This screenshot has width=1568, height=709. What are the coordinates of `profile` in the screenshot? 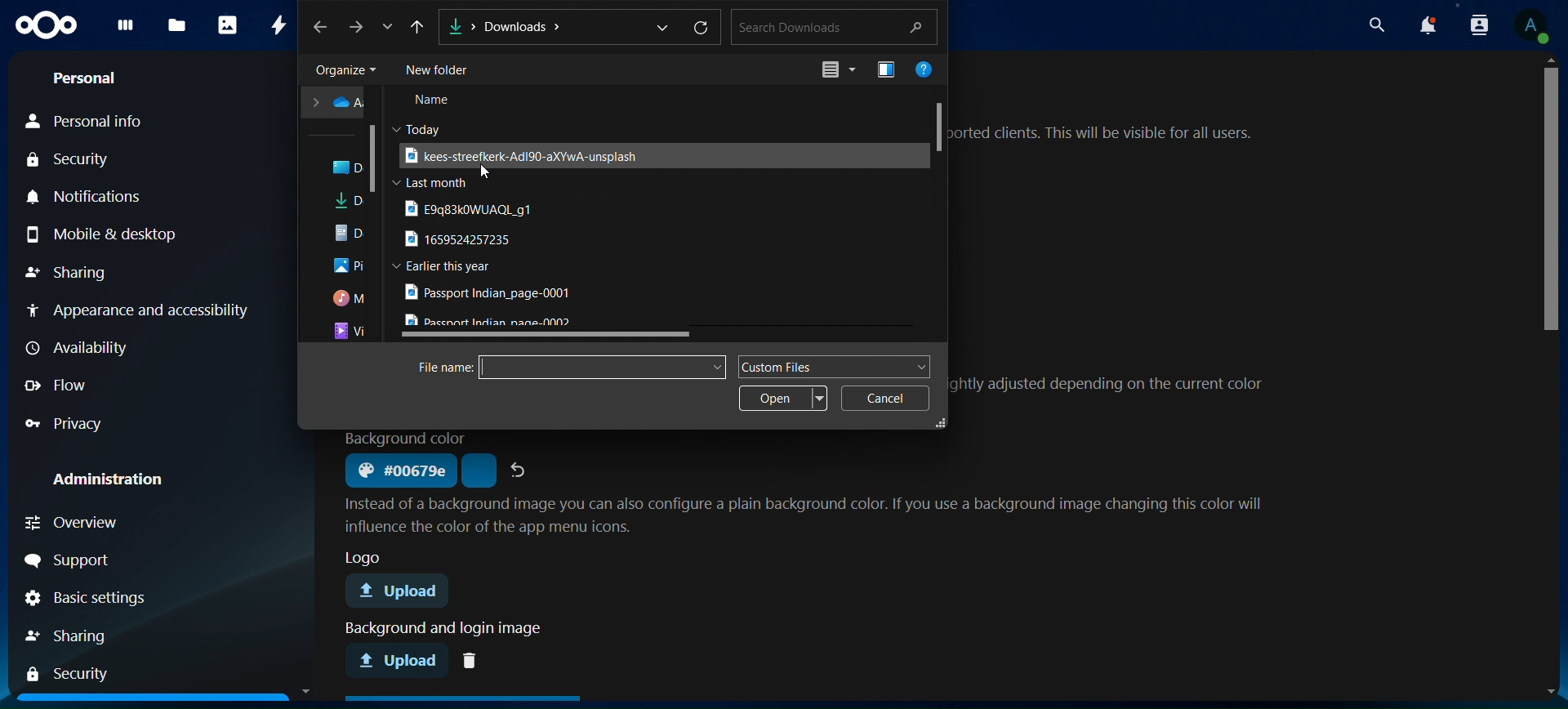 It's located at (1530, 27).